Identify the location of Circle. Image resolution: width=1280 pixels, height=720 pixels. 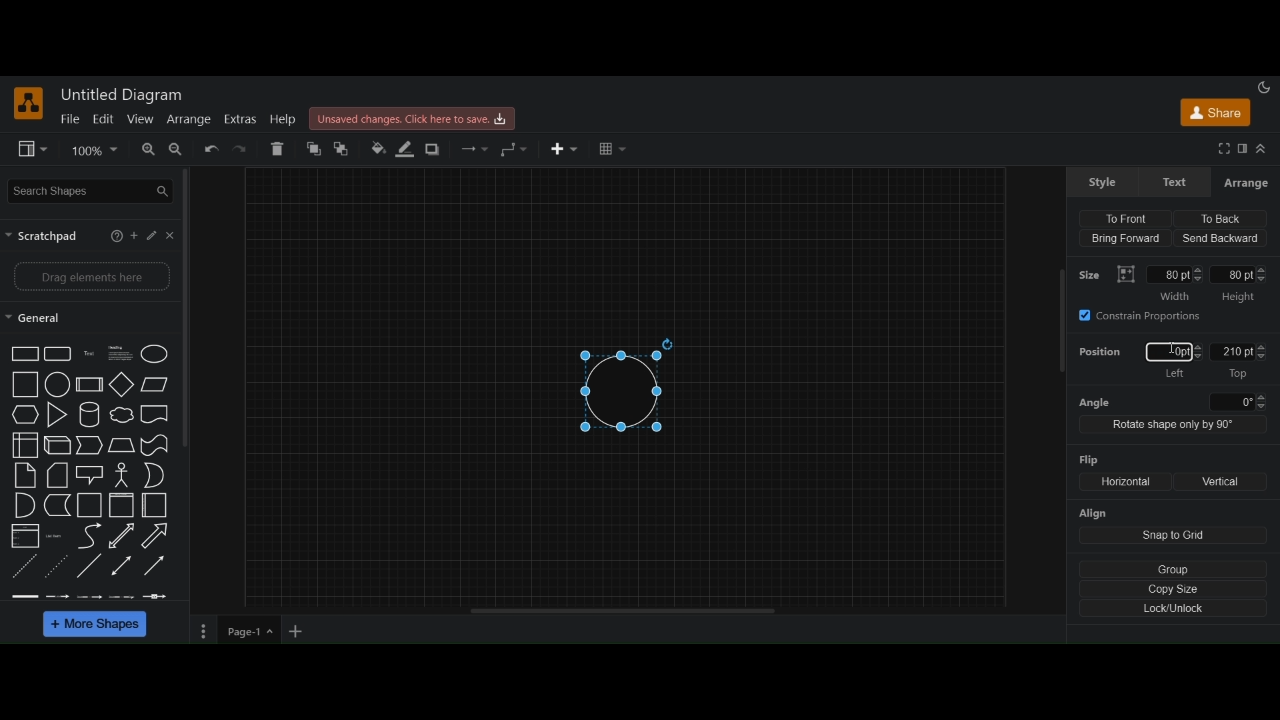
(156, 354).